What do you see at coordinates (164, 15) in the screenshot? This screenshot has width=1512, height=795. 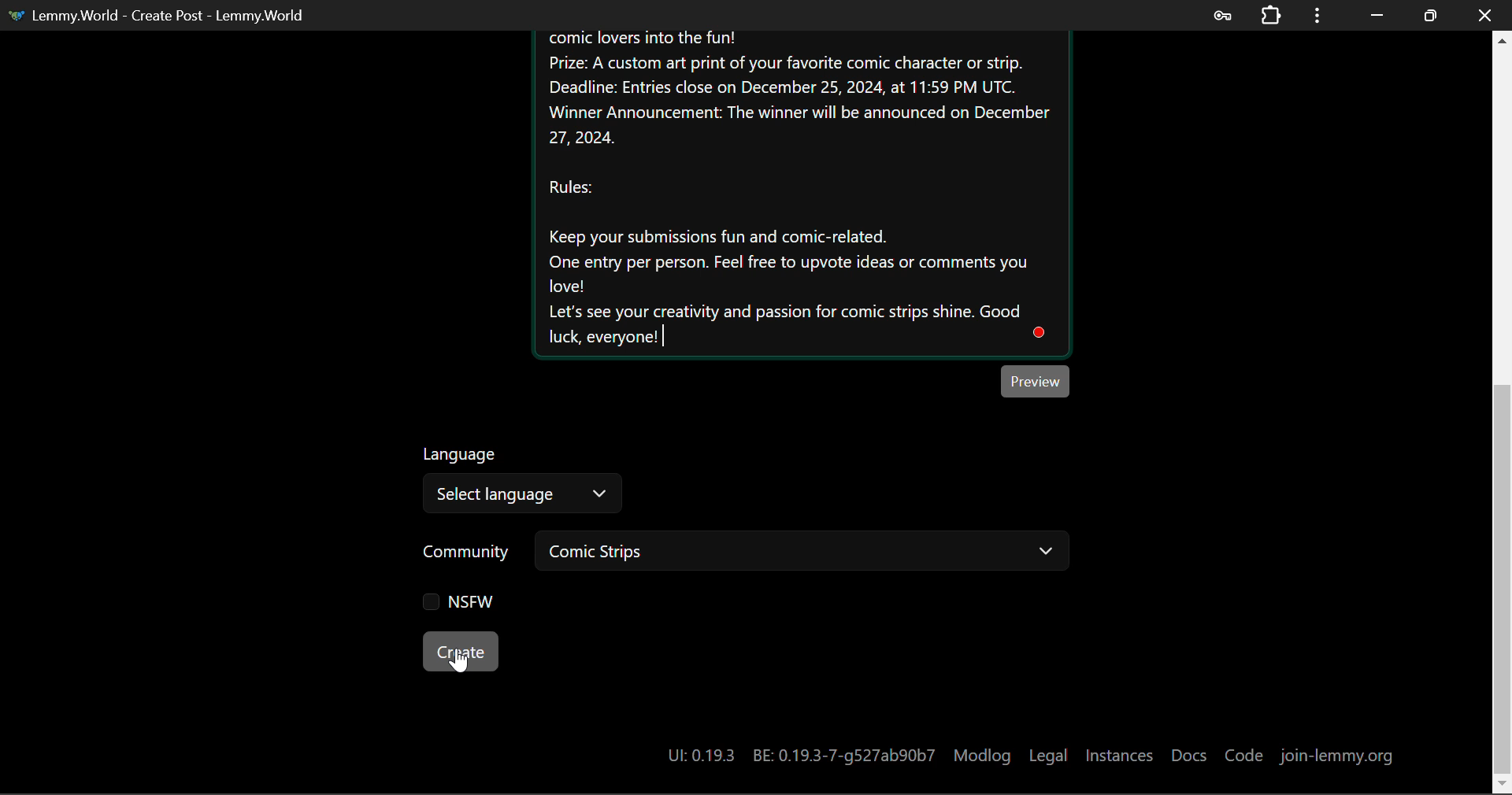 I see `Lemmy.World- Create Post - Lemmy.World` at bounding box center [164, 15].